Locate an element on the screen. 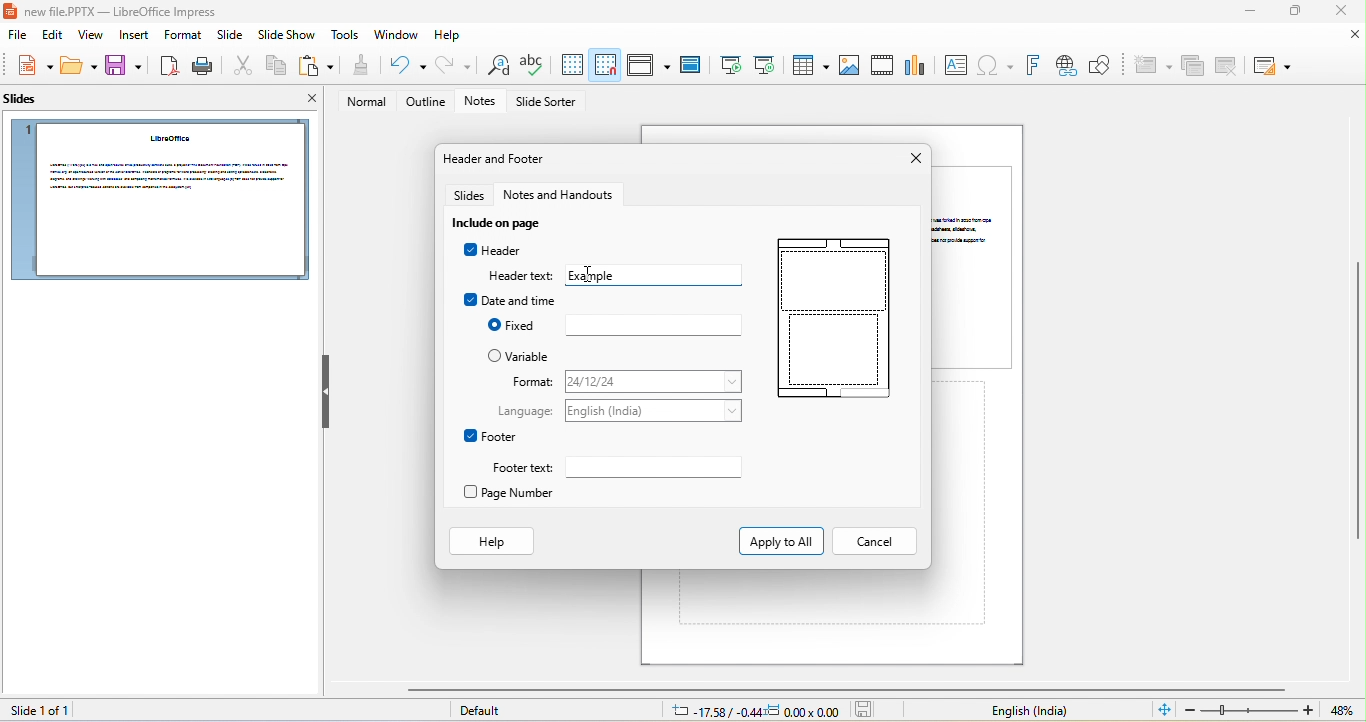 Image resolution: width=1366 pixels, height=722 pixels. horizontal scrollbar is located at coordinates (845, 689).